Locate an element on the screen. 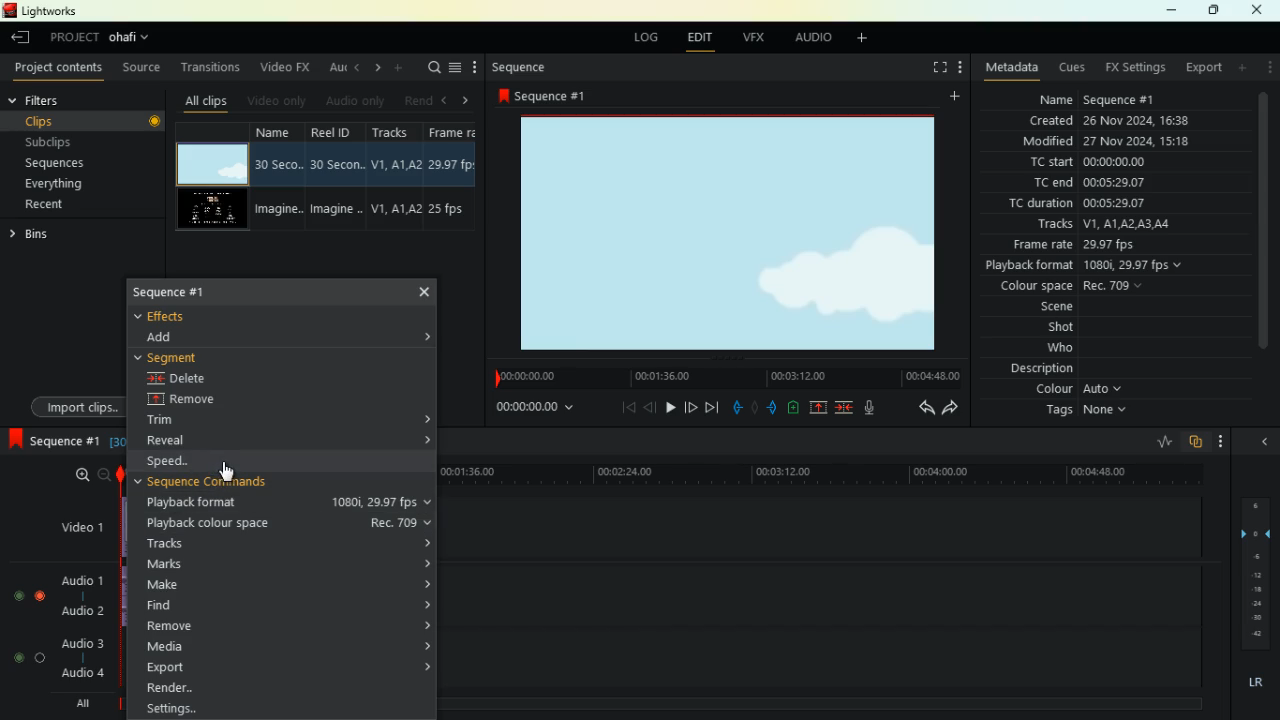 The height and width of the screenshot is (720, 1280). sequence is located at coordinates (550, 96).